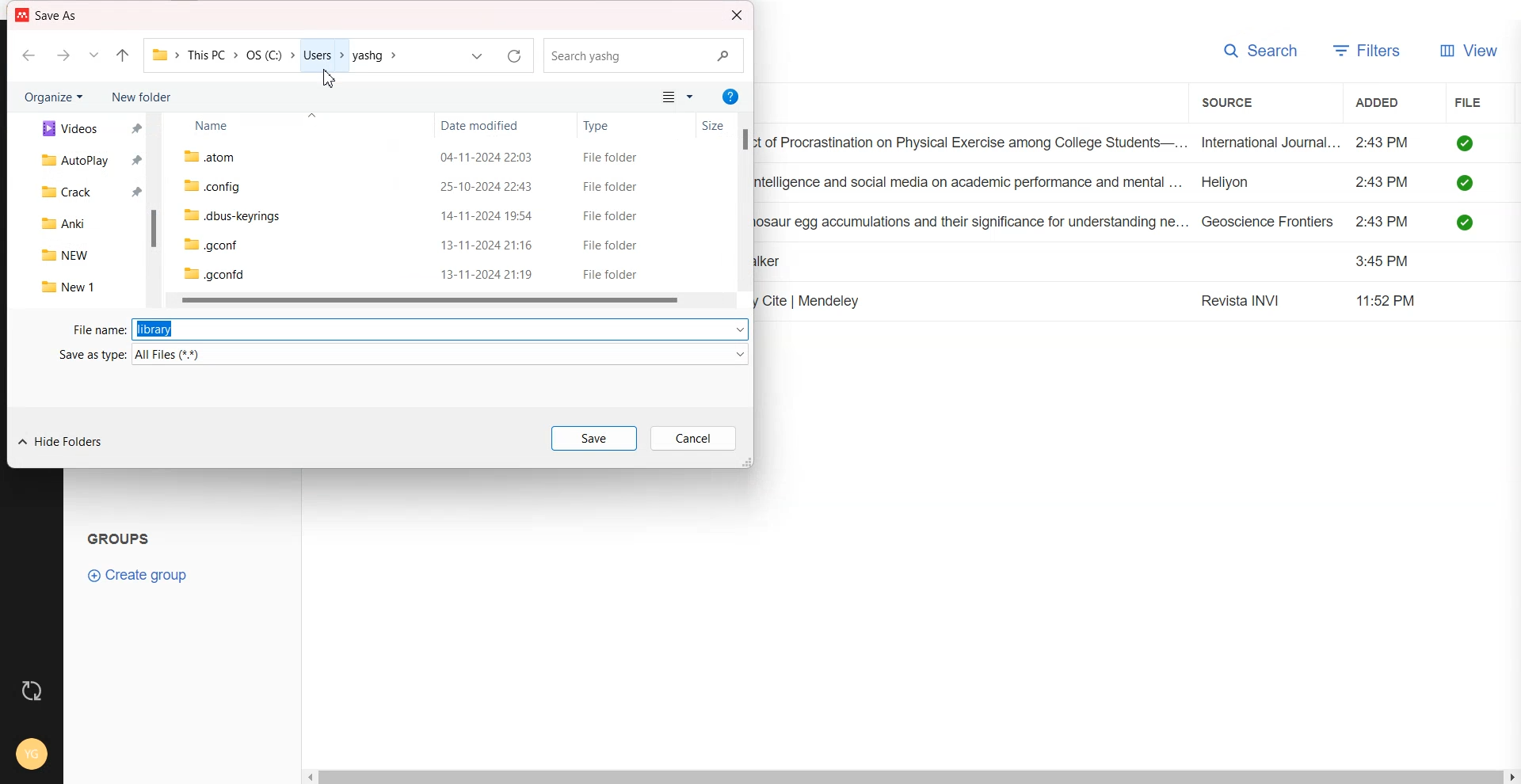 This screenshot has width=1521, height=784. What do you see at coordinates (440, 355) in the screenshot?
I see `All Files (*.*)` at bounding box center [440, 355].